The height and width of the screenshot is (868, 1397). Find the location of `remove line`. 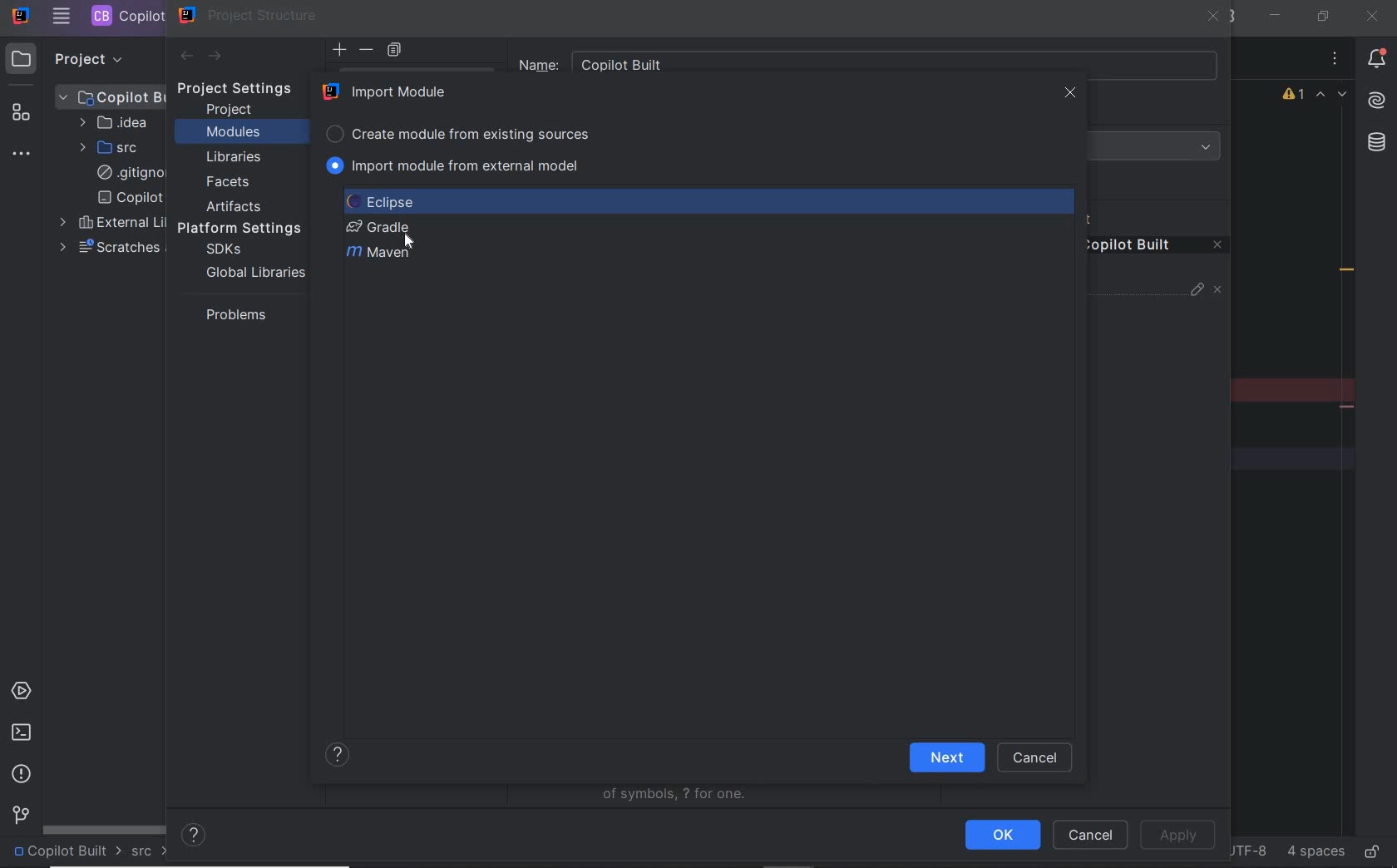

remove line is located at coordinates (1349, 407).